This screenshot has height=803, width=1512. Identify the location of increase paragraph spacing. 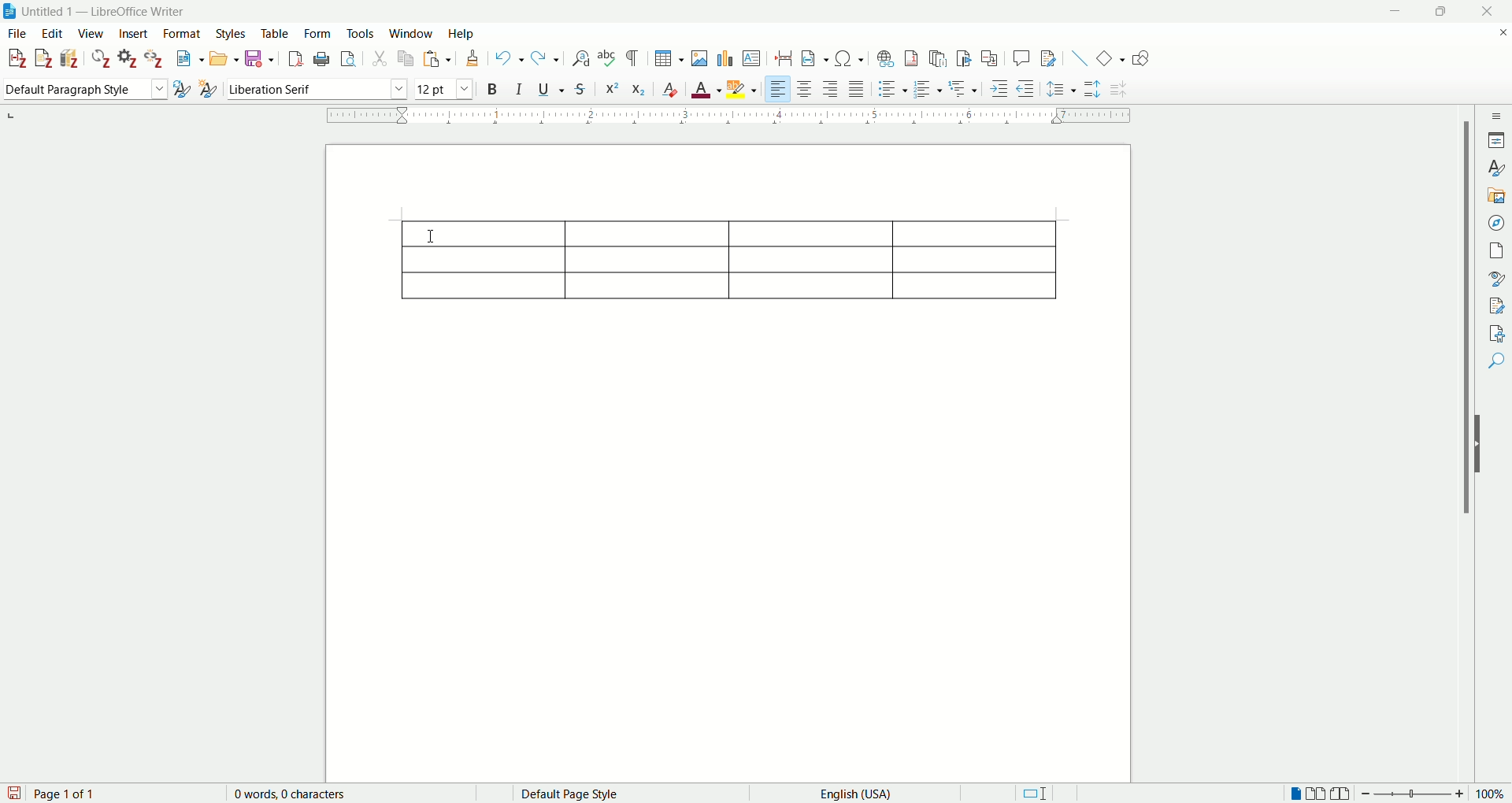
(1094, 89).